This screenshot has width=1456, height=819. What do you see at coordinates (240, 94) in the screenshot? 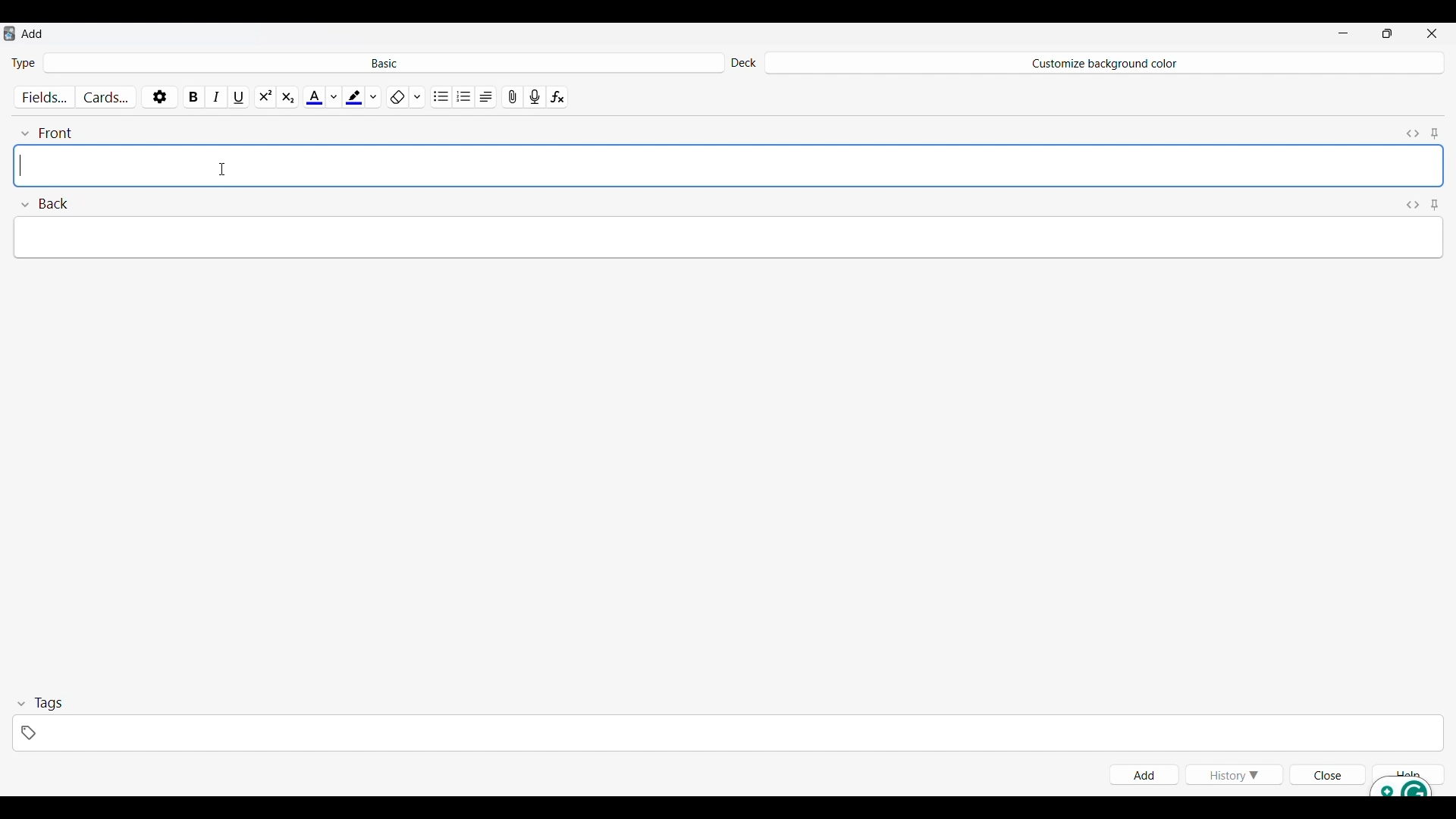
I see `Underline ` at bounding box center [240, 94].